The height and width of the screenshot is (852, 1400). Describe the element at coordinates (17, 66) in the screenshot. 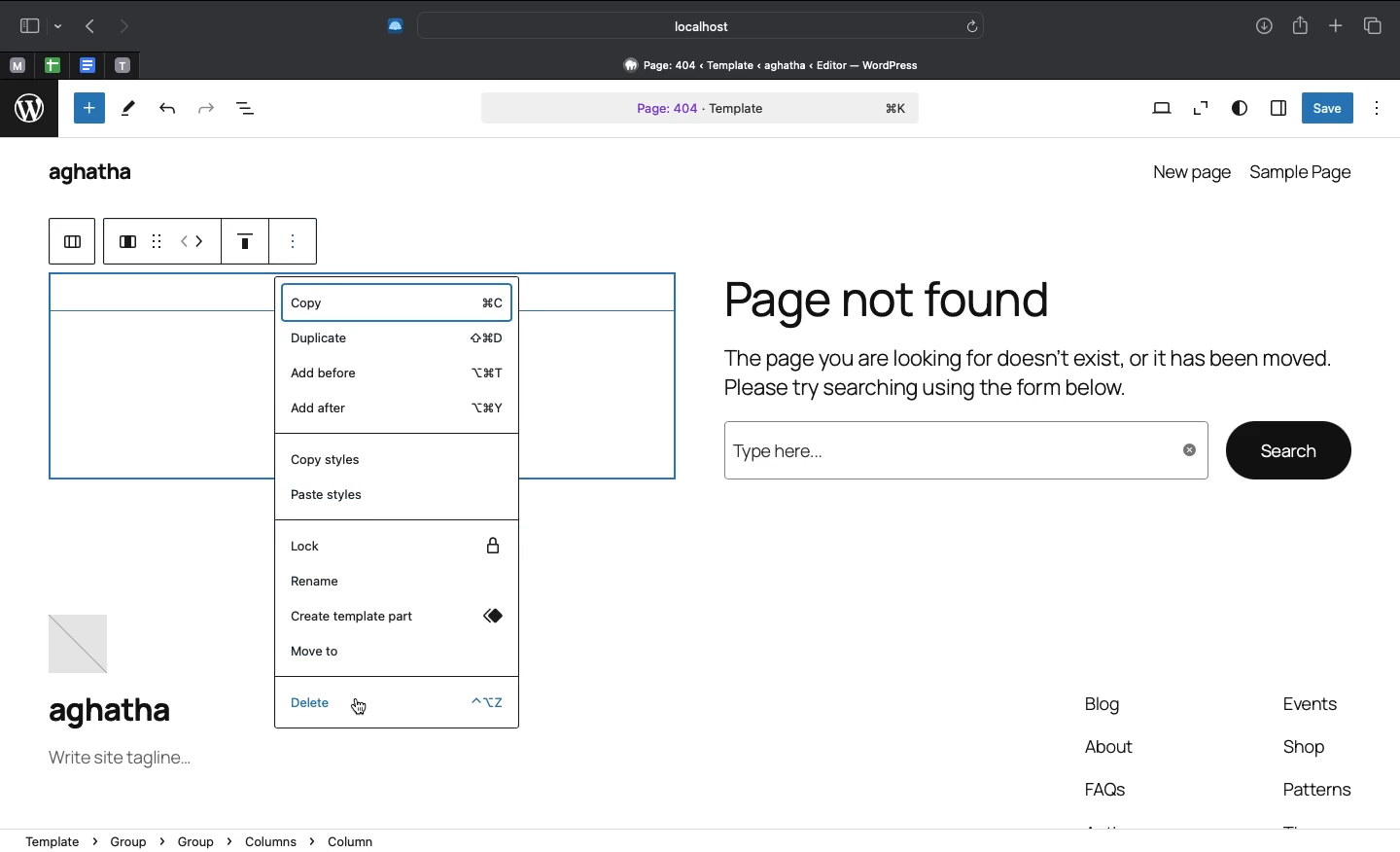

I see `open tab` at that location.